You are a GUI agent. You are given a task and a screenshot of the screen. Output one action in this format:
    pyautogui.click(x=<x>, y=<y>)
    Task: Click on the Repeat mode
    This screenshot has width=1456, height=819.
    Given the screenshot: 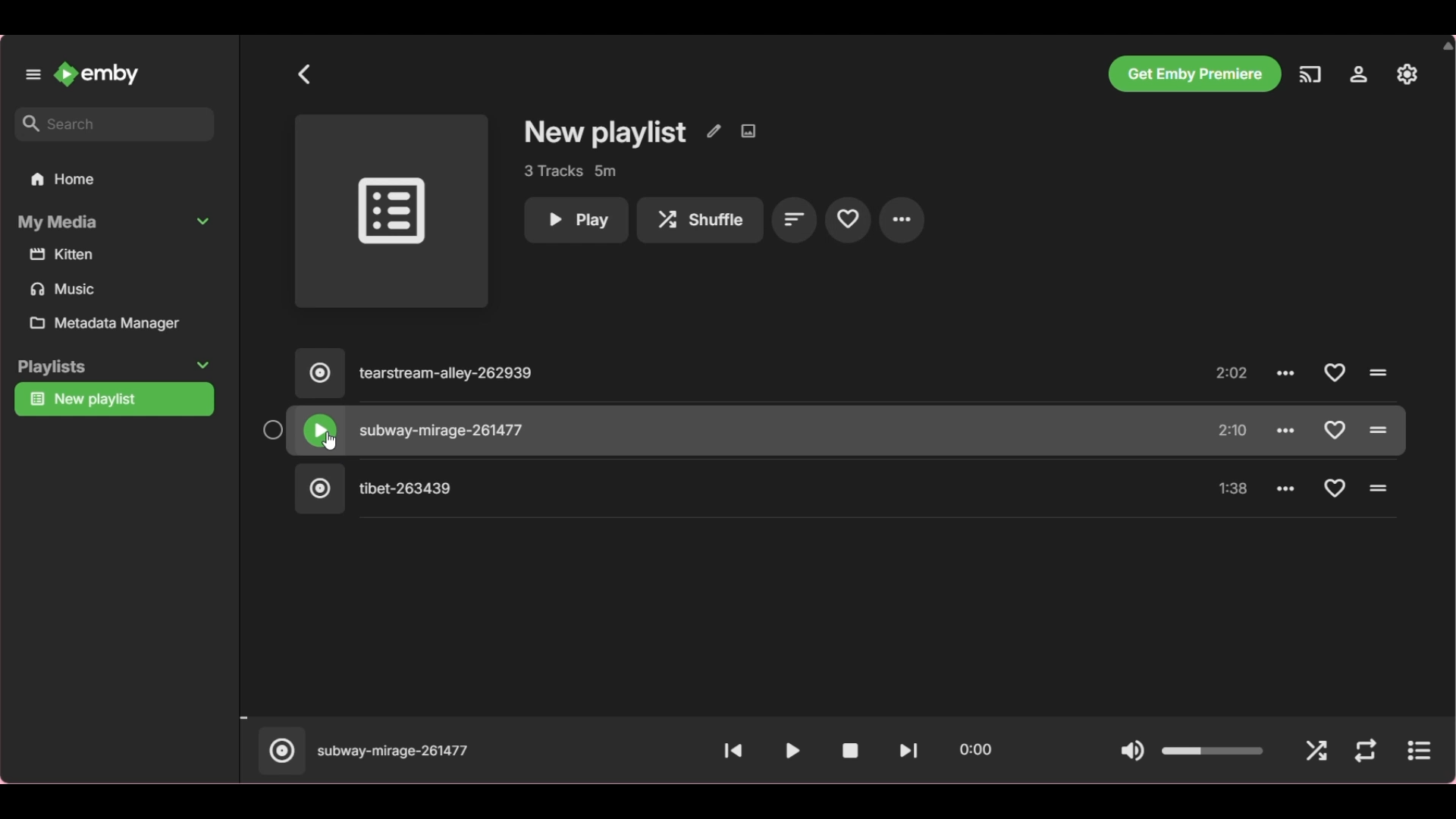 What is the action you would take?
    pyautogui.click(x=1365, y=752)
    